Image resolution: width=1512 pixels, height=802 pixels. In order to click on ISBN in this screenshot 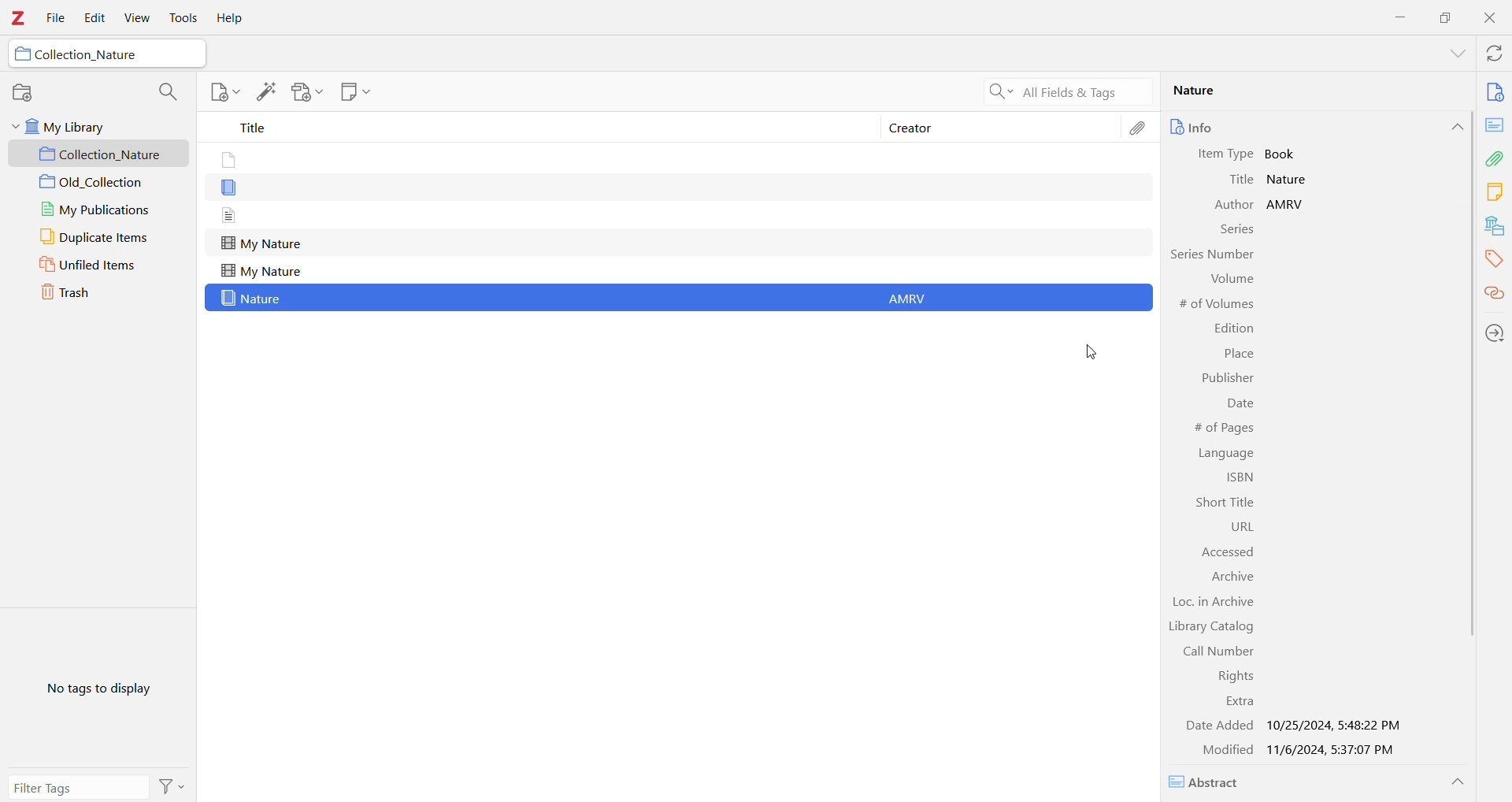, I will do `click(1237, 479)`.